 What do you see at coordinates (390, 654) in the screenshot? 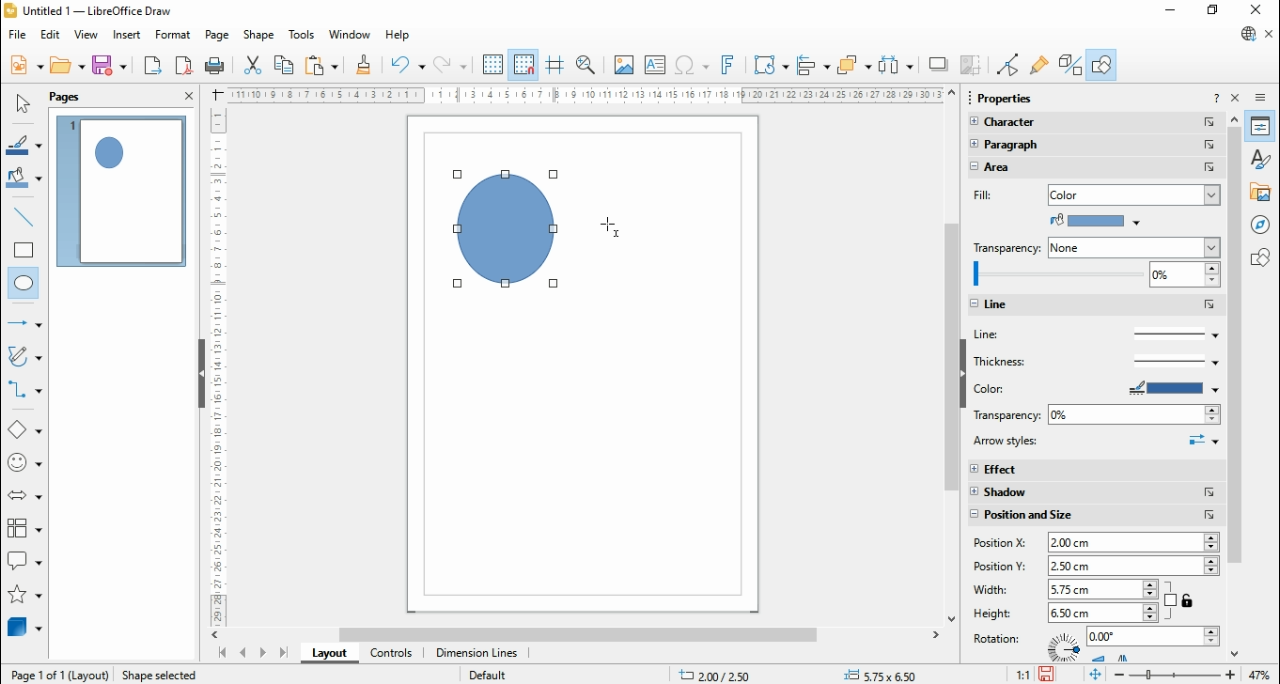
I see `controls` at bounding box center [390, 654].